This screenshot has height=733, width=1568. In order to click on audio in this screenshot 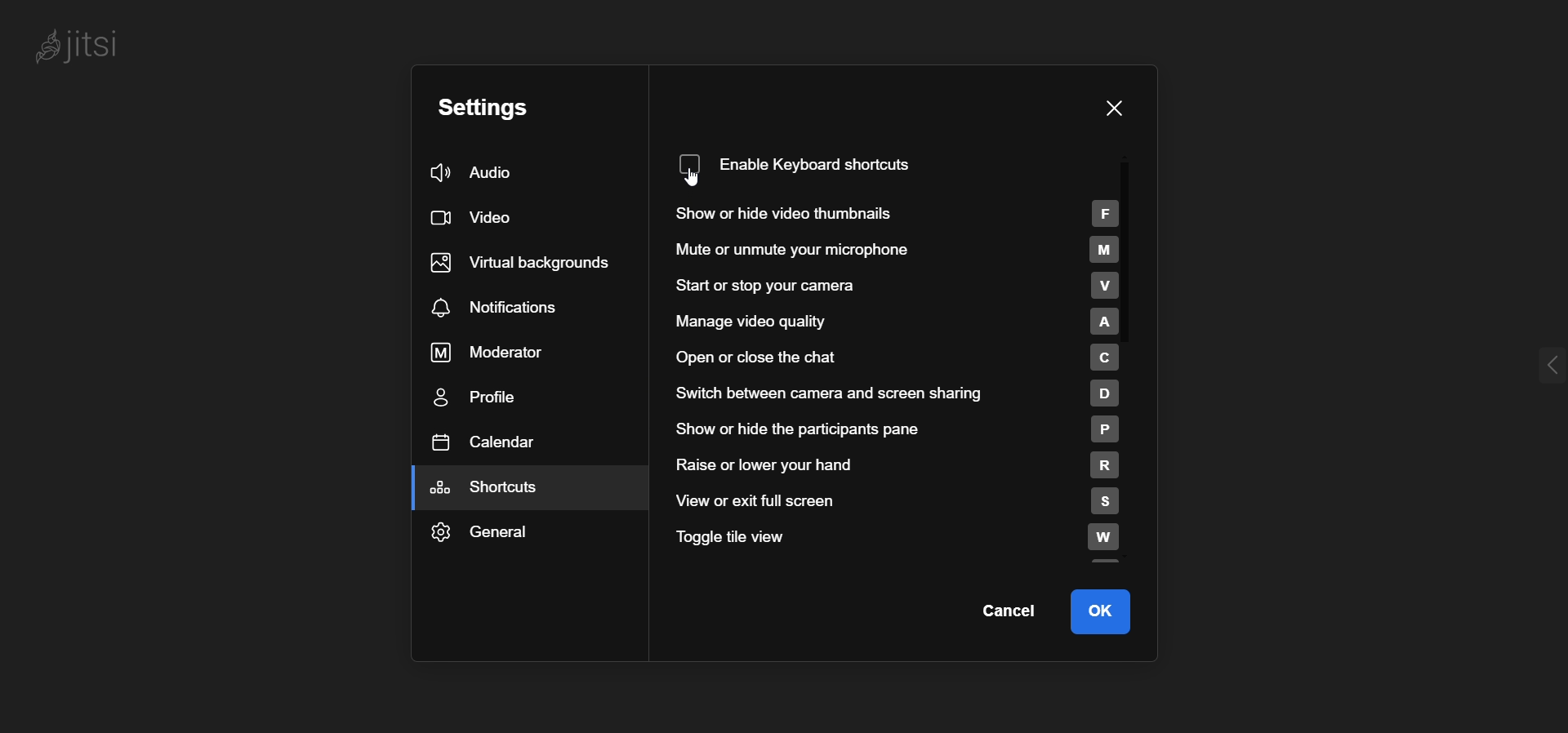, I will do `click(480, 171)`.